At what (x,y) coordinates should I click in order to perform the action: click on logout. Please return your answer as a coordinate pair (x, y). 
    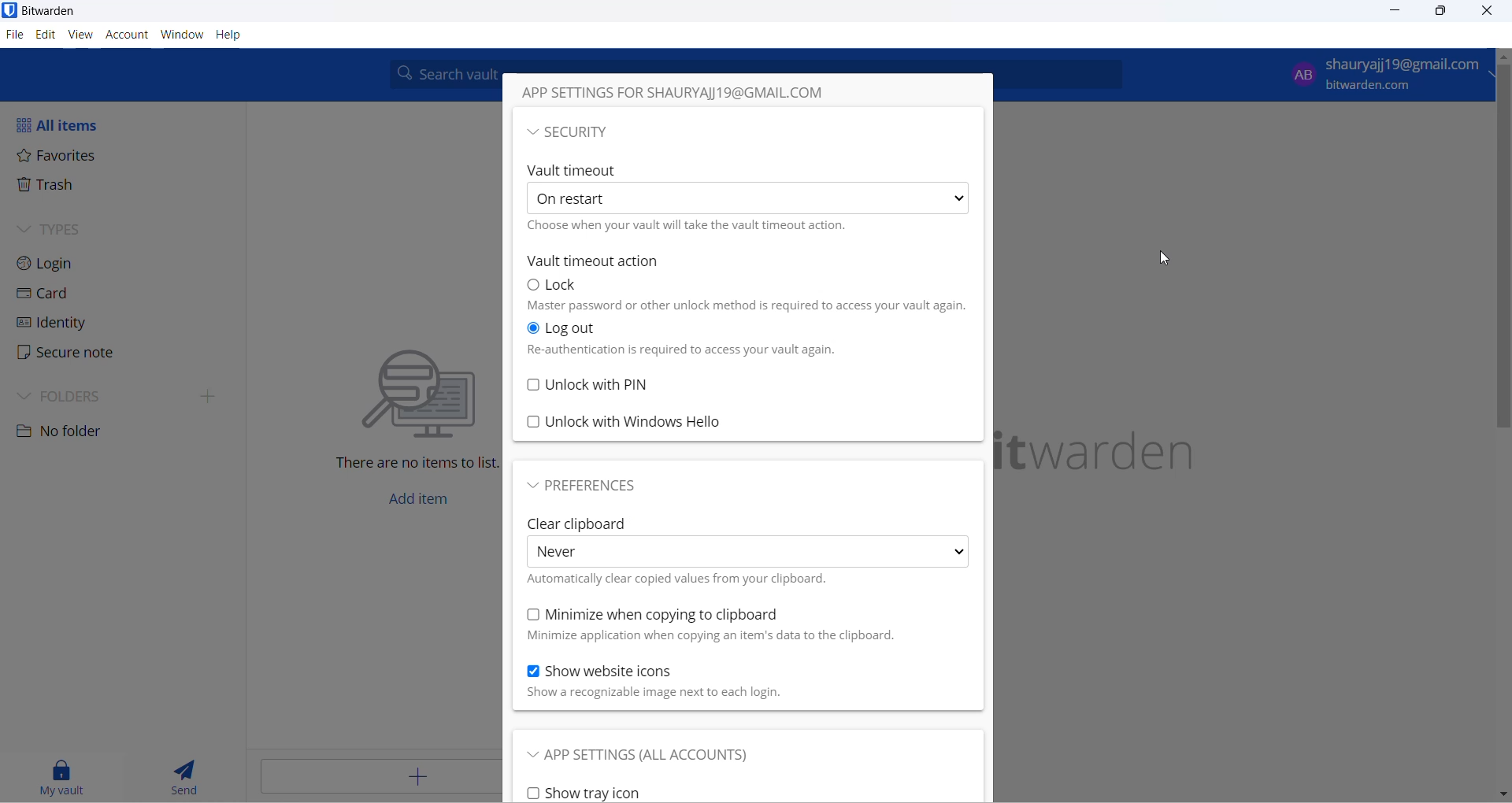
    Looking at the image, I should click on (579, 330).